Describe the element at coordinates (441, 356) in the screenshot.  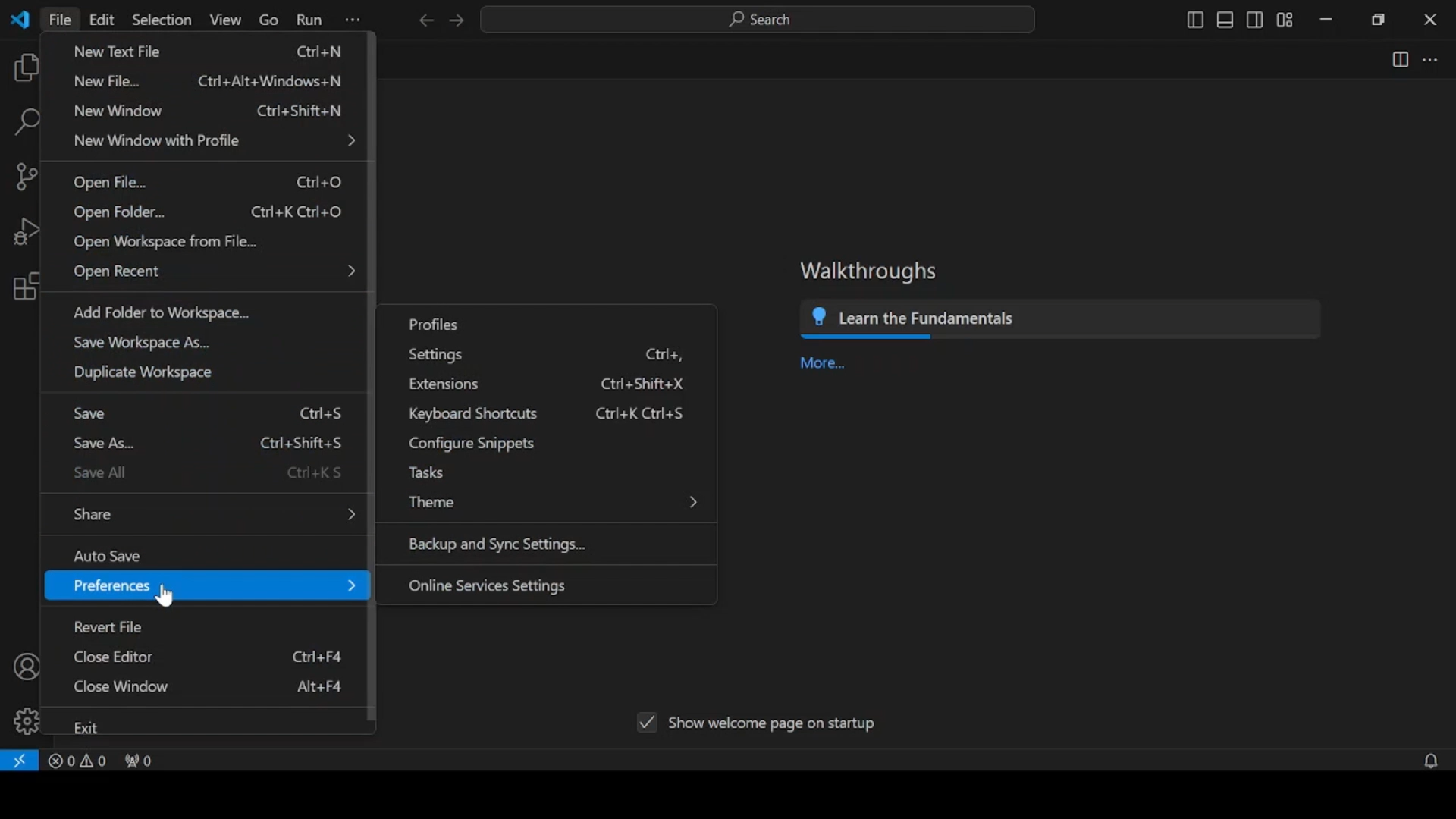
I see `settings` at that location.